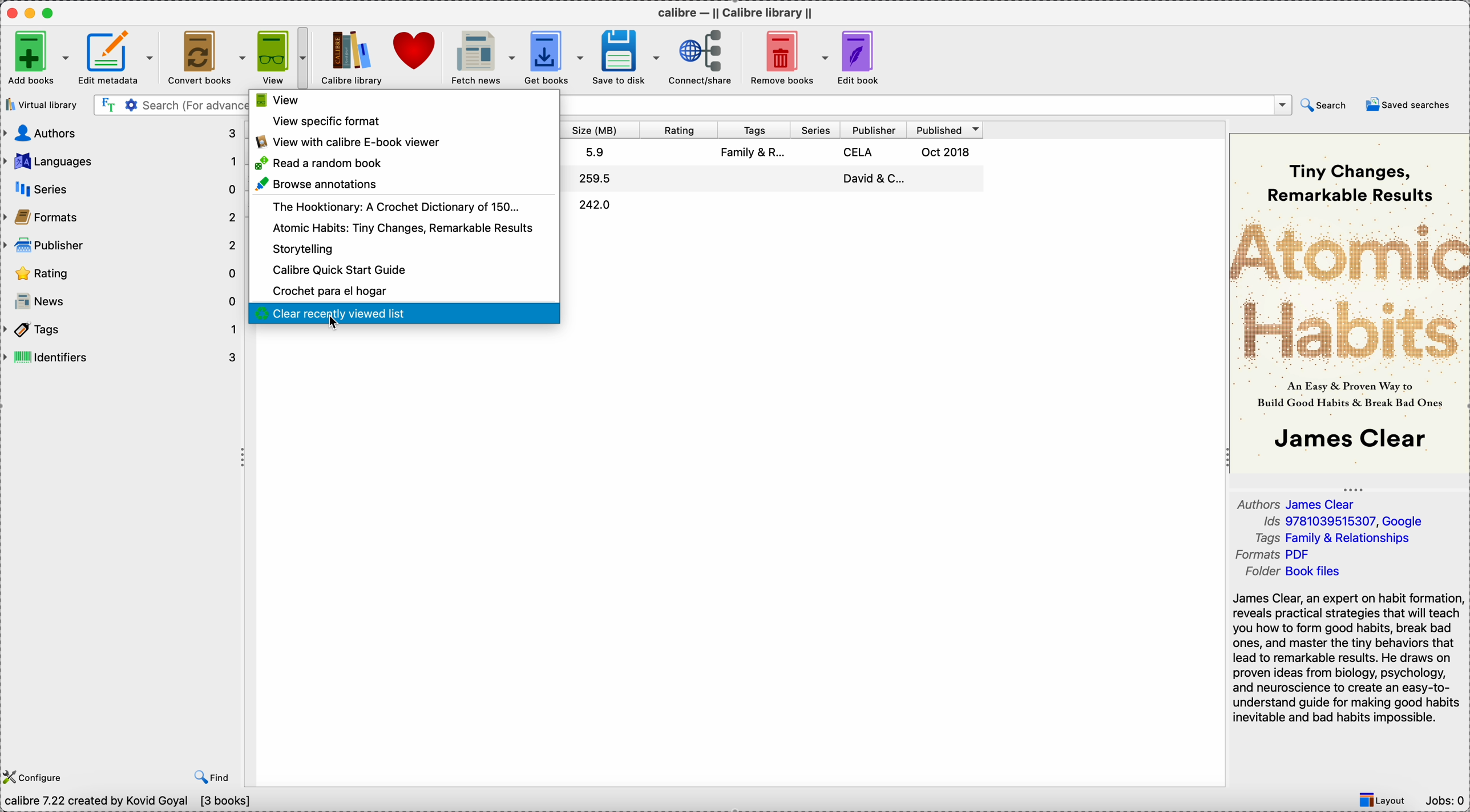 The width and height of the screenshot is (1470, 812). Describe the element at coordinates (948, 151) in the screenshot. I see `Oct 2018` at that location.